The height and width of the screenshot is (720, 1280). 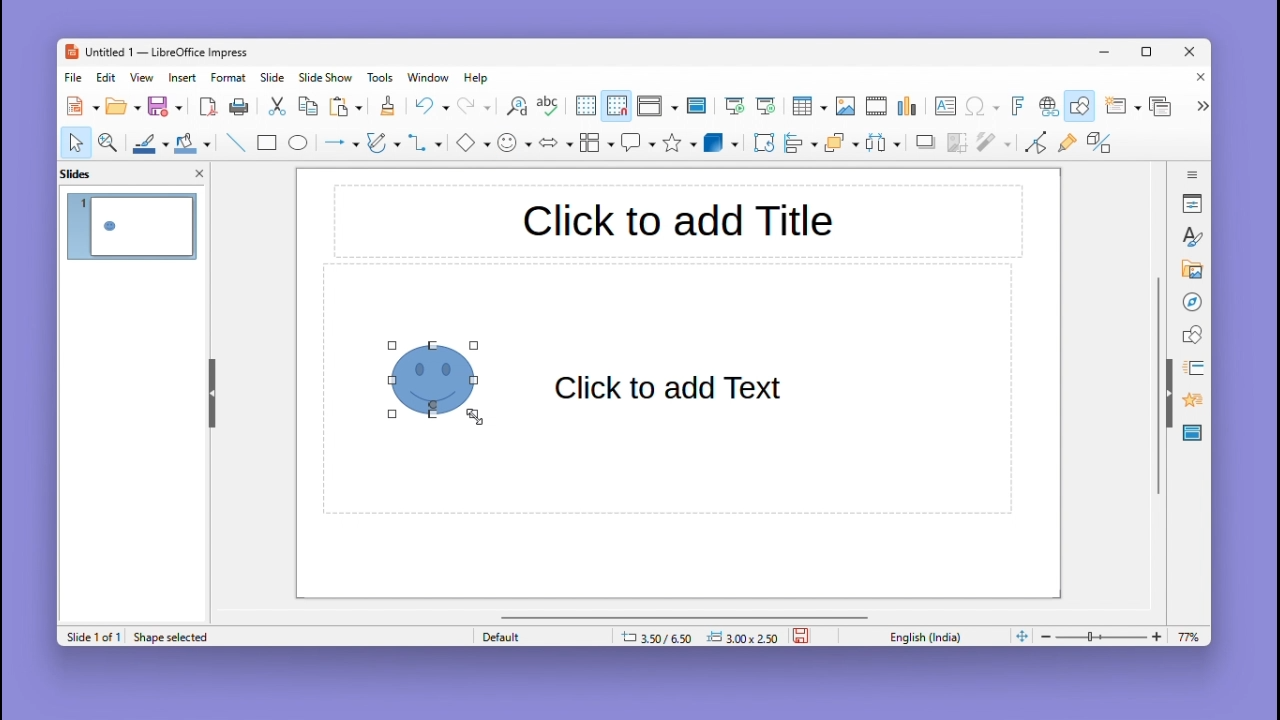 What do you see at coordinates (845, 107) in the screenshot?
I see `Image` at bounding box center [845, 107].